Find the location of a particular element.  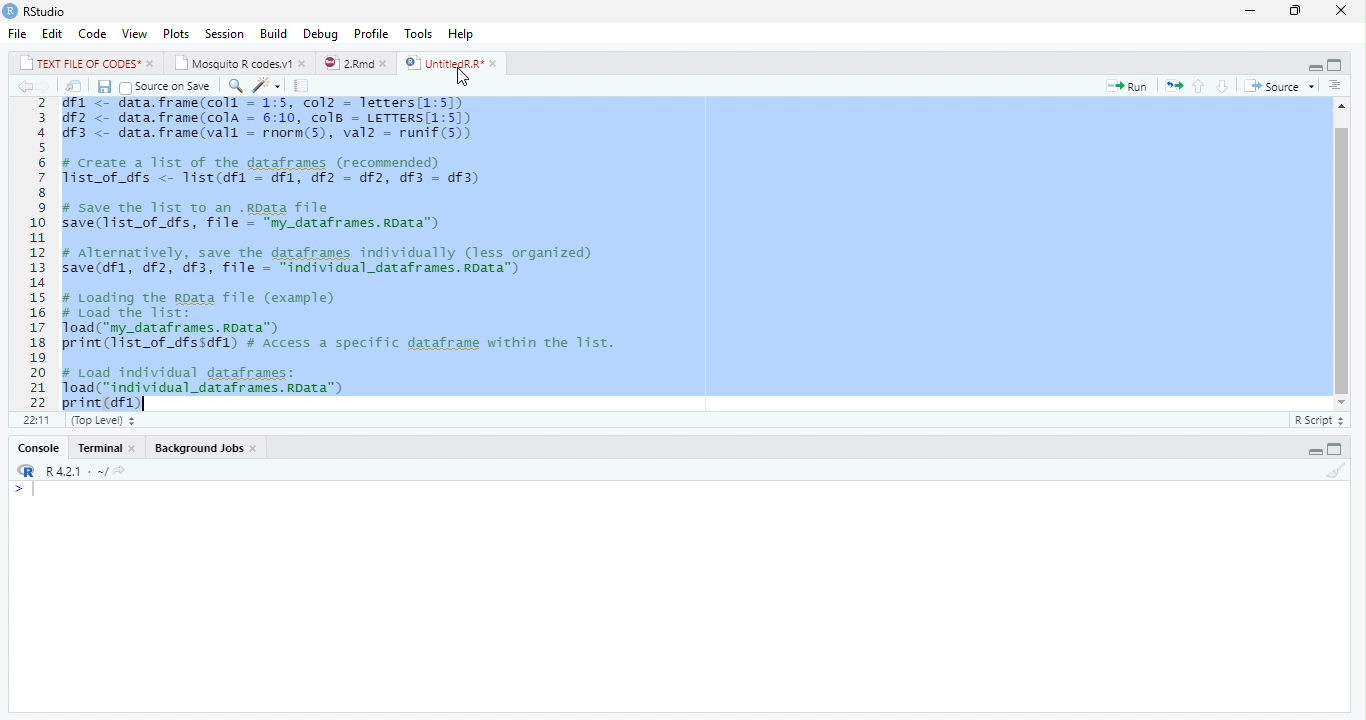

File is located at coordinates (19, 33).